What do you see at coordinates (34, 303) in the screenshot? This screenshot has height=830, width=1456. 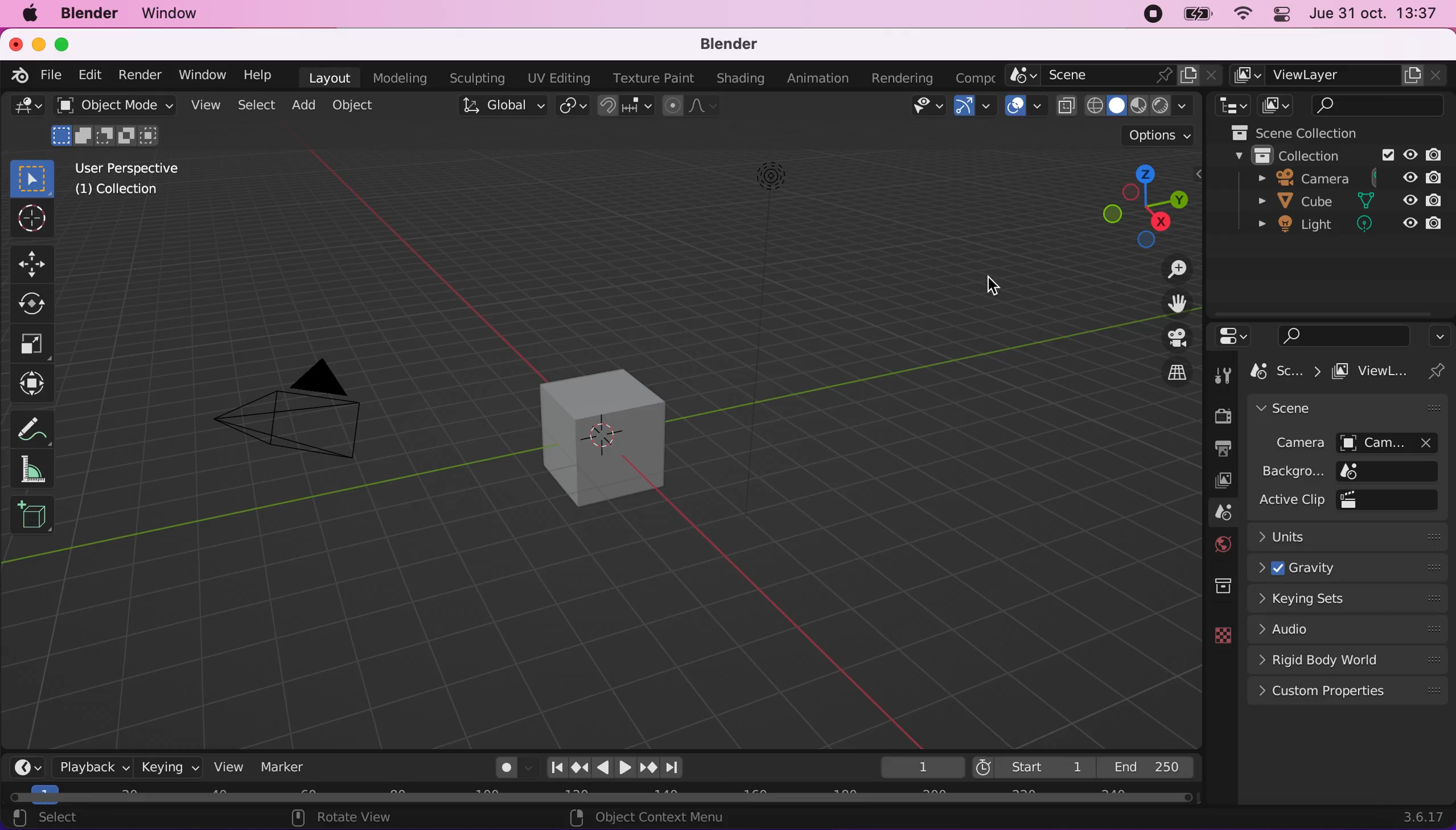 I see `rotate` at bounding box center [34, 303].